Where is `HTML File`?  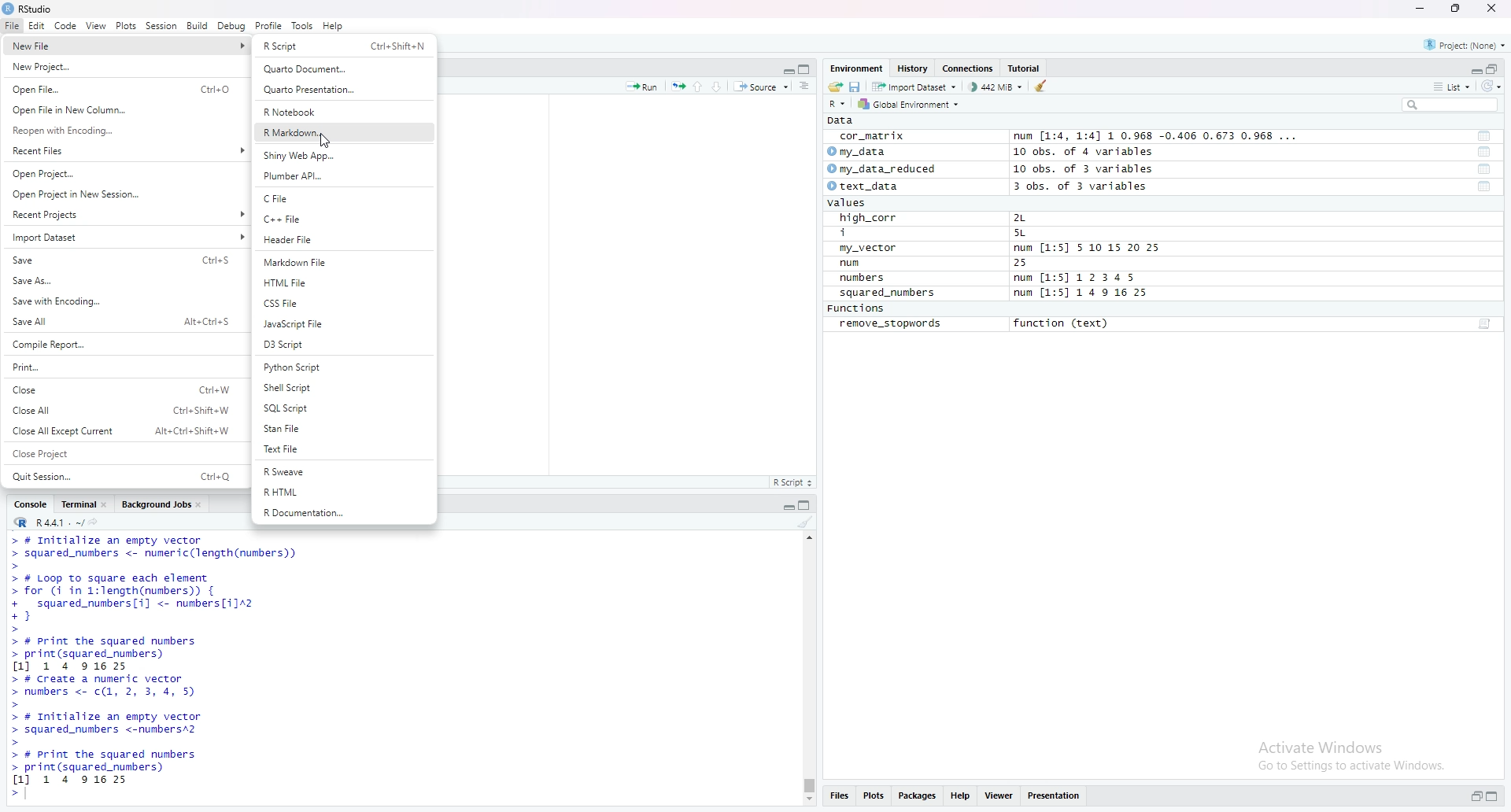 HTML File is located at coordinates (338, 282).